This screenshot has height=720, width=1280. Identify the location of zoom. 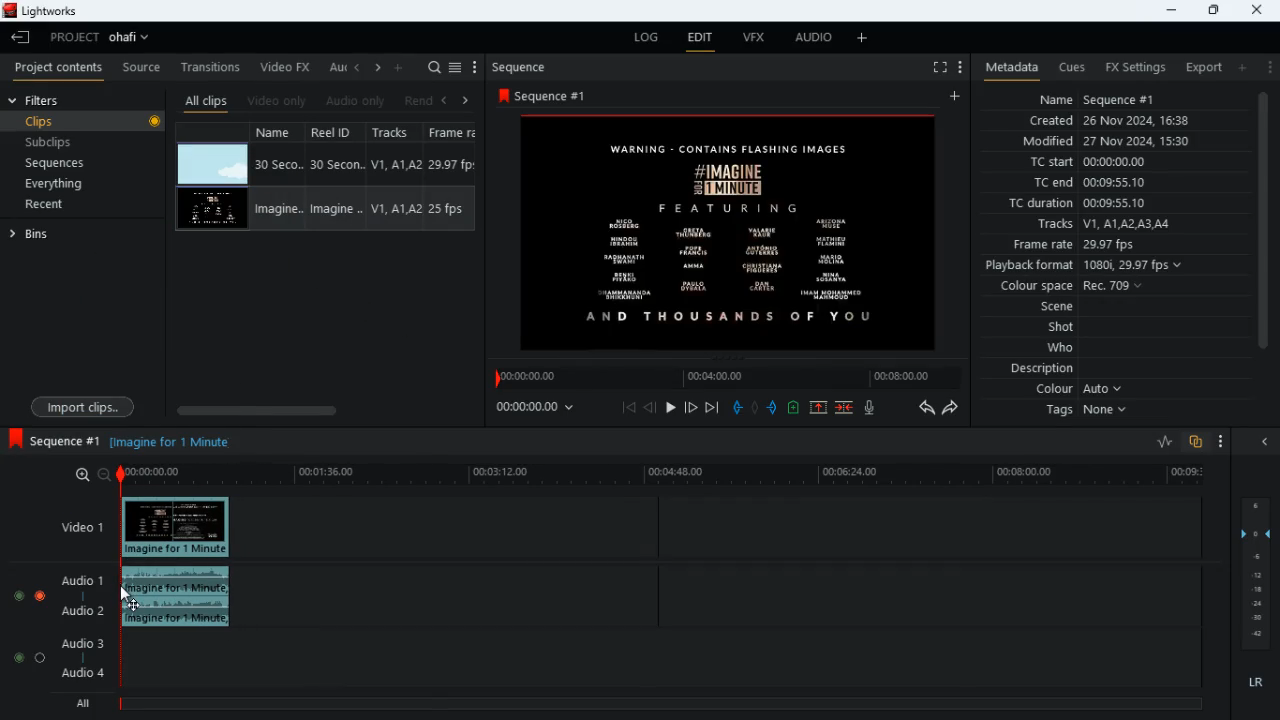
(85, 475).